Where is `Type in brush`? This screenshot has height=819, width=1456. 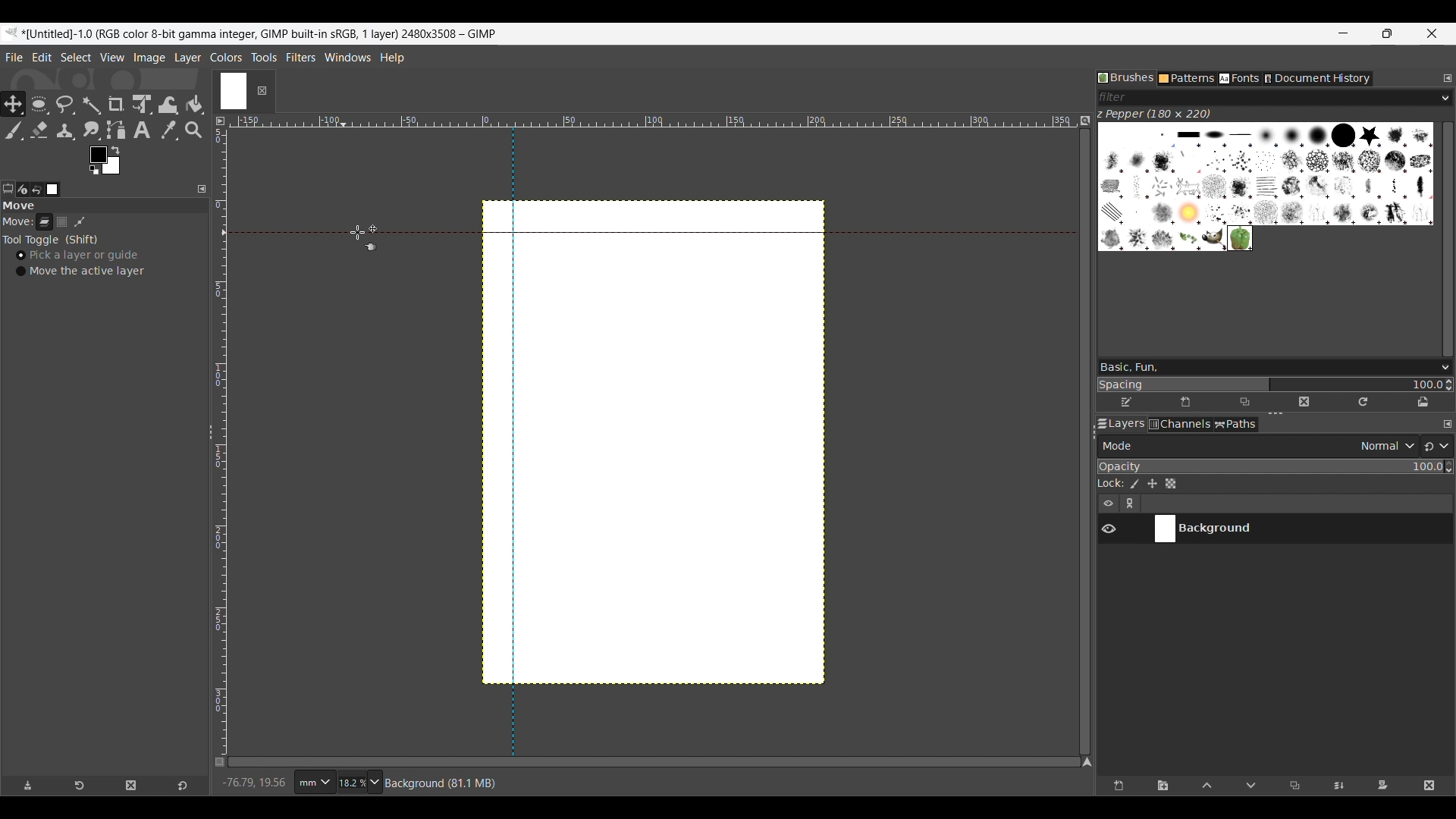 Type in brush is located at coordinates (1262, 367).